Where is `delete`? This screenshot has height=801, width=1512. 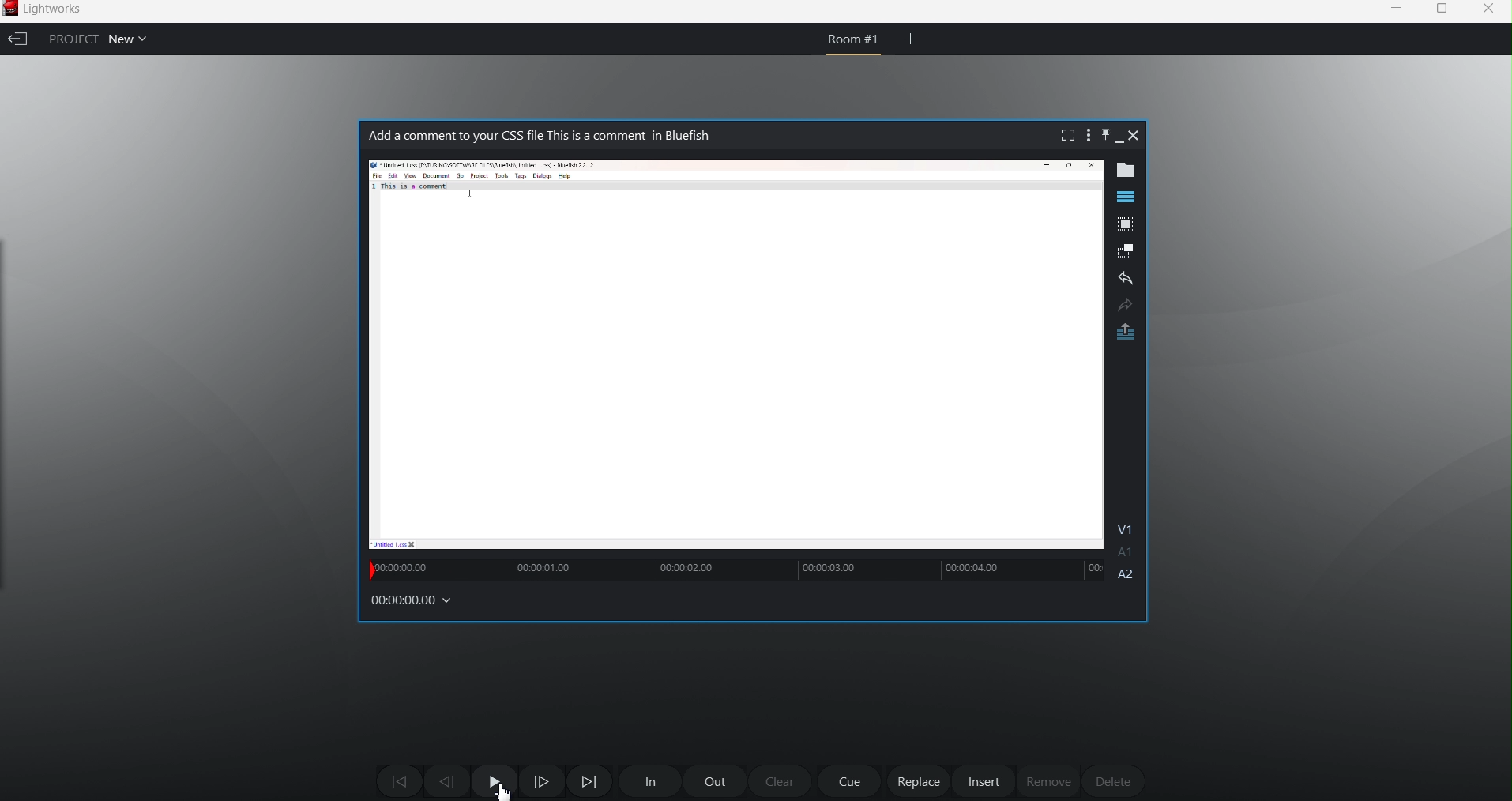 delete is located at coordinates (1111, 778).